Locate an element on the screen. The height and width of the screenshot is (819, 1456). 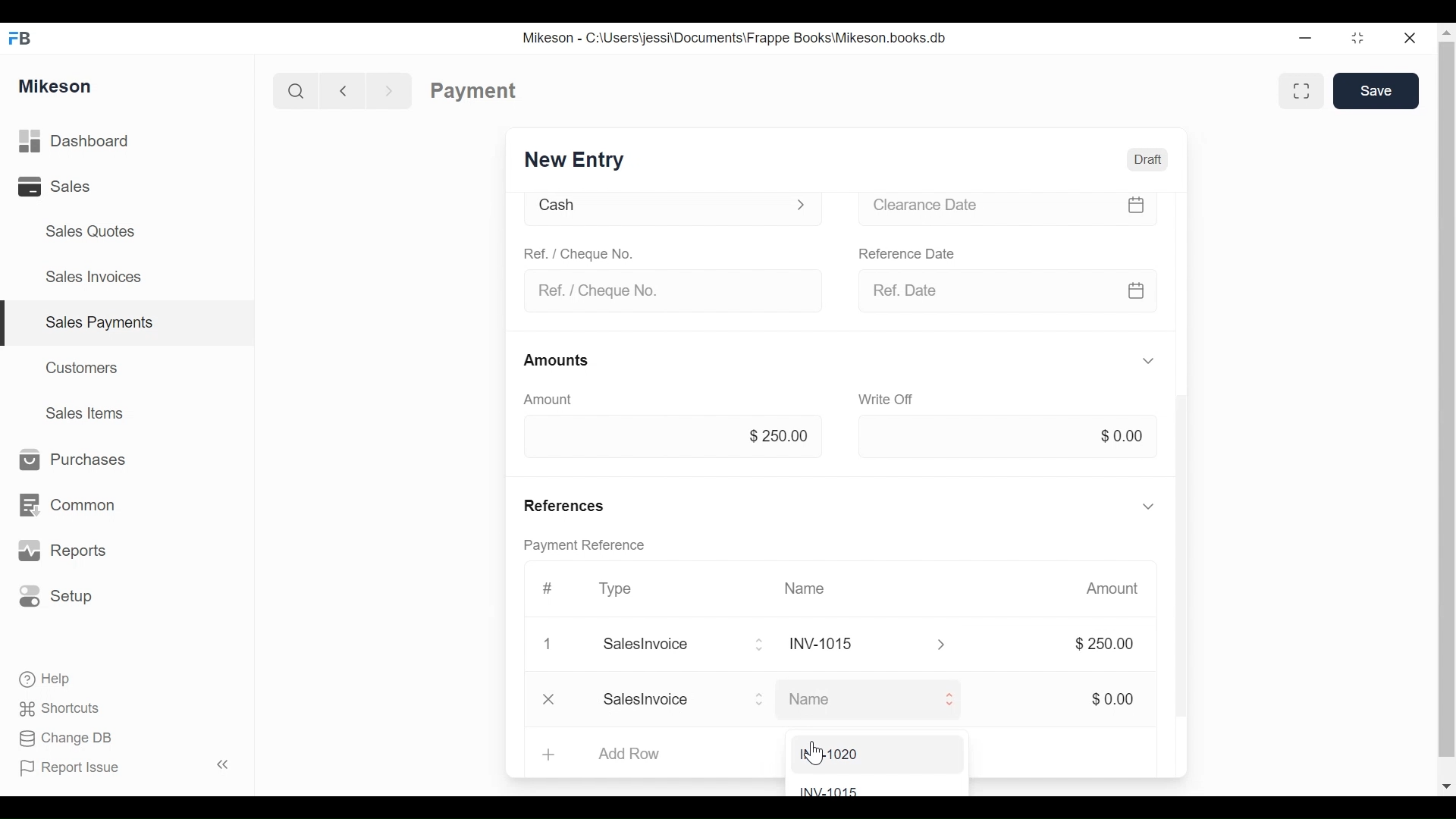
Shortcuts is located at coordinates (66, 704).